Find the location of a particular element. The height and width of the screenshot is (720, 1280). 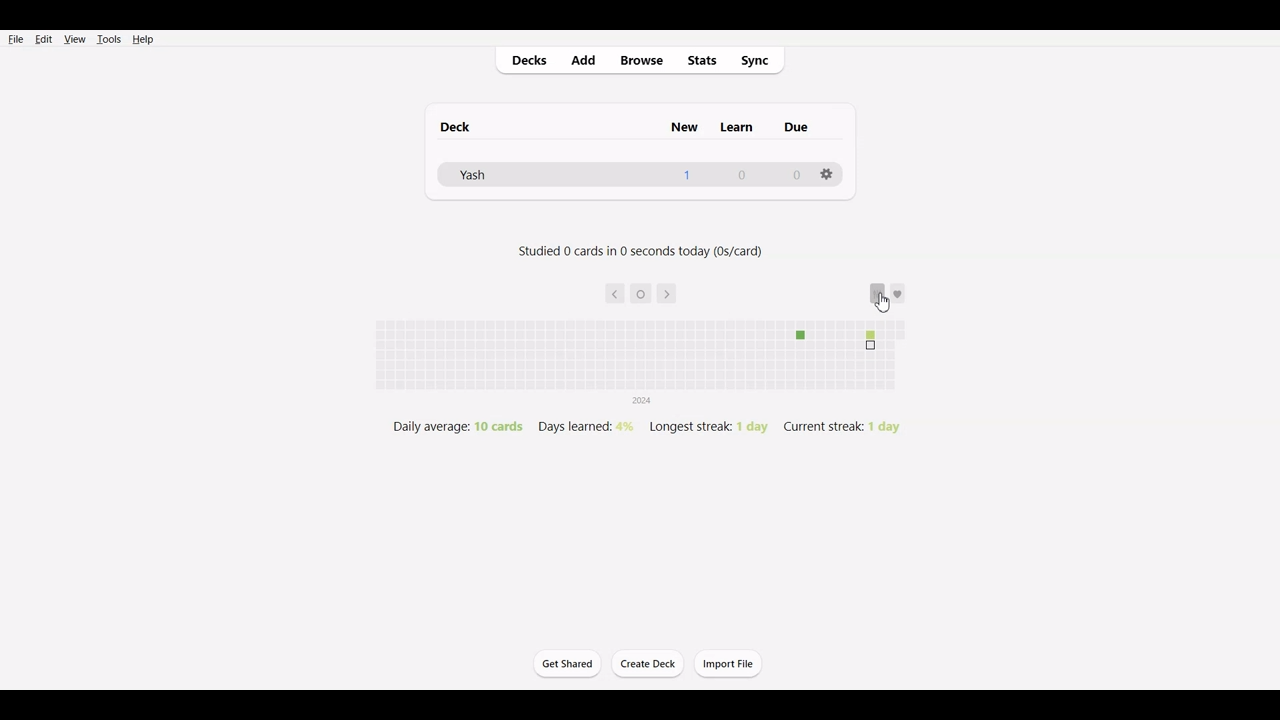

Go Forward is located at coordinates (666, 294).